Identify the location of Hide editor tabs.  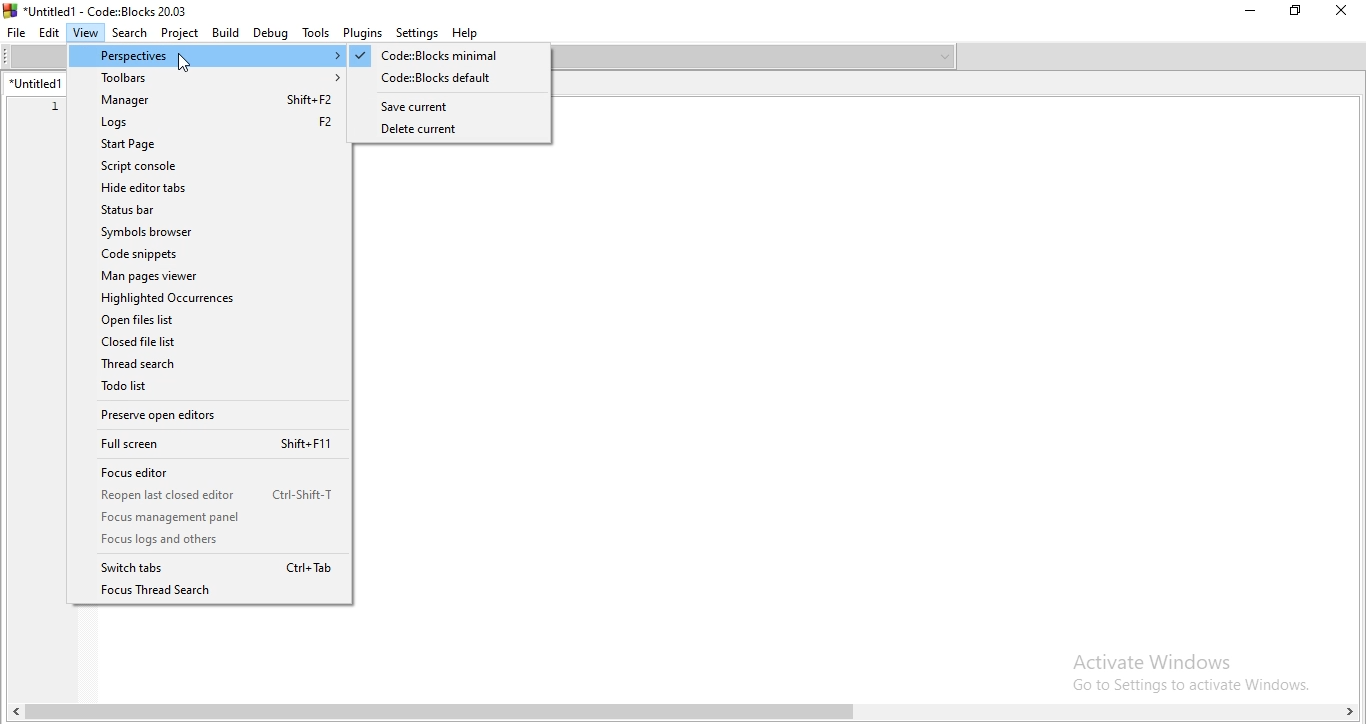
(209, 187).